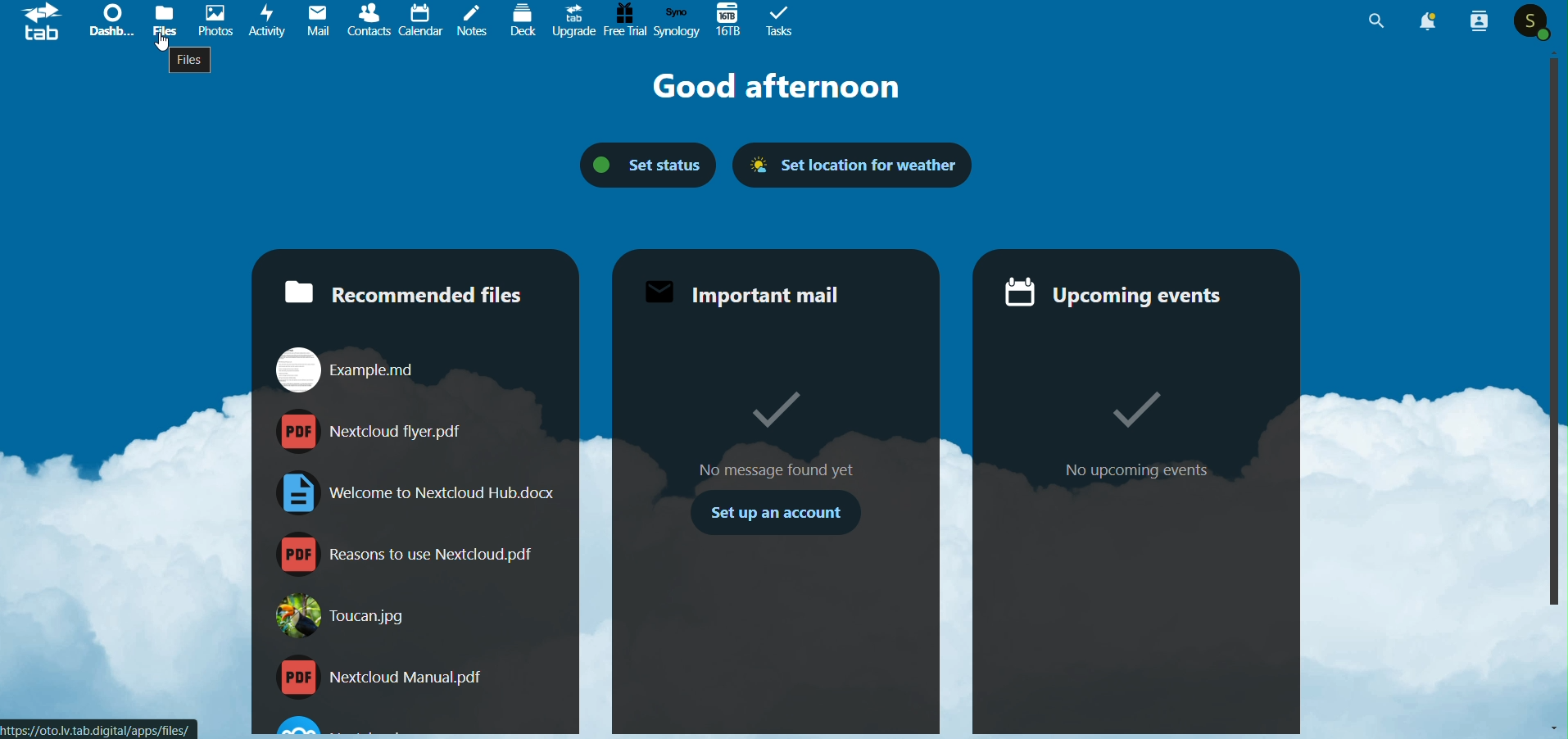 This screenshot has height=739, width=1568. Describe the element at coordinates (678, 20) in the screenshot. I see `Synology` at that location.